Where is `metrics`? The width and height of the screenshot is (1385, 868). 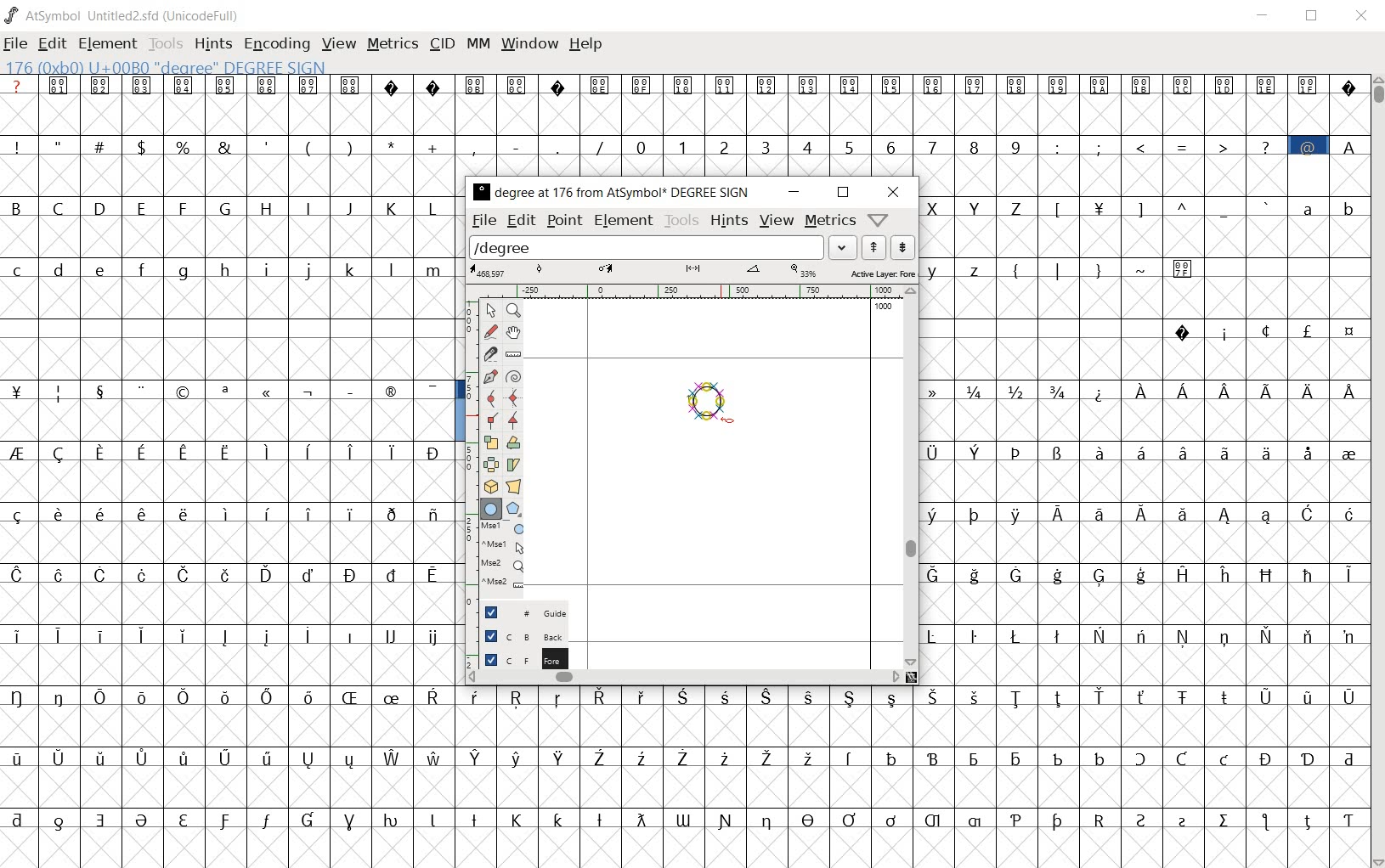
metrics is located at coordinates (829, 222).